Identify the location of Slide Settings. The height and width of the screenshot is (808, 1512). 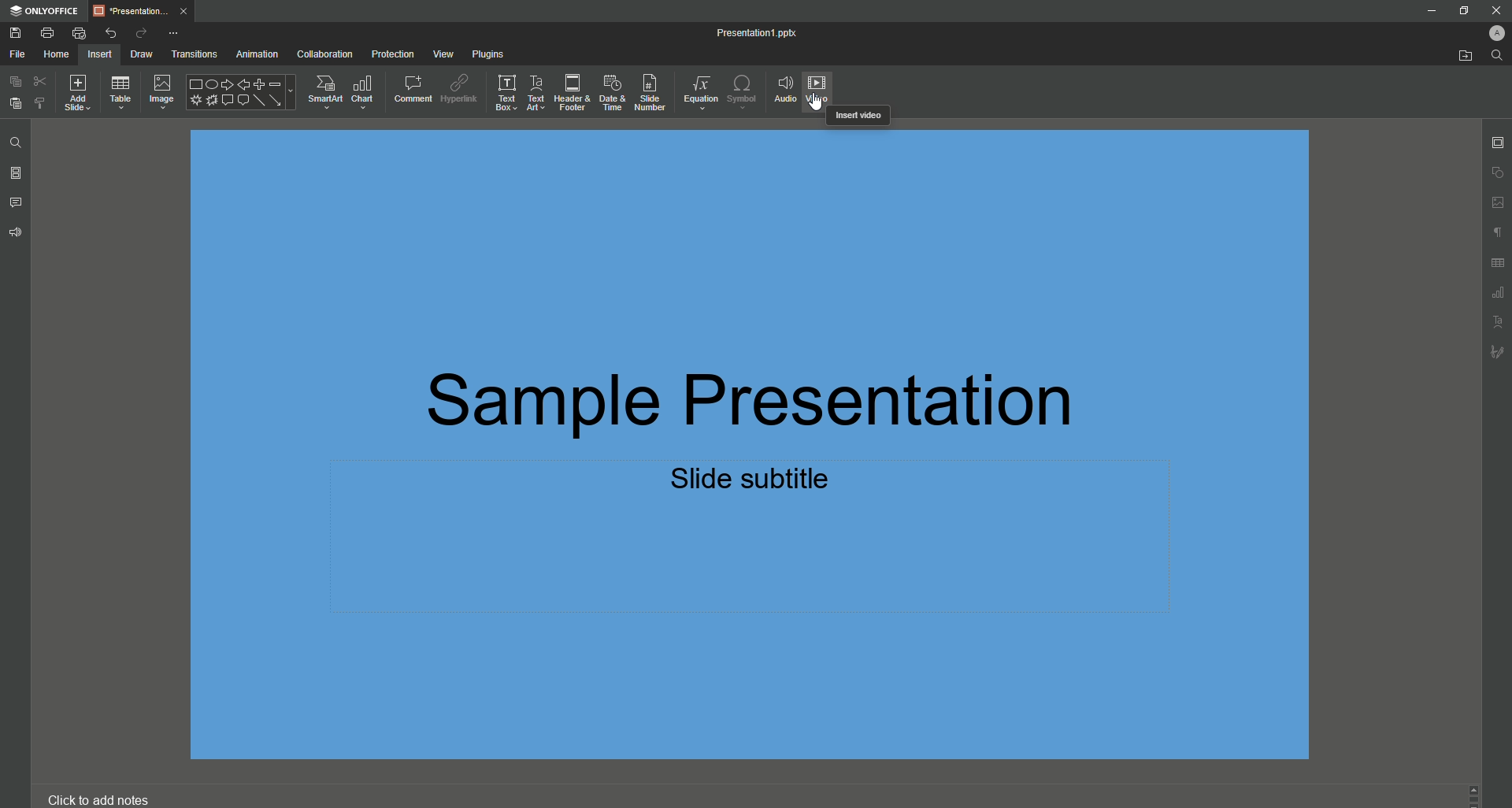
(1495, 139).